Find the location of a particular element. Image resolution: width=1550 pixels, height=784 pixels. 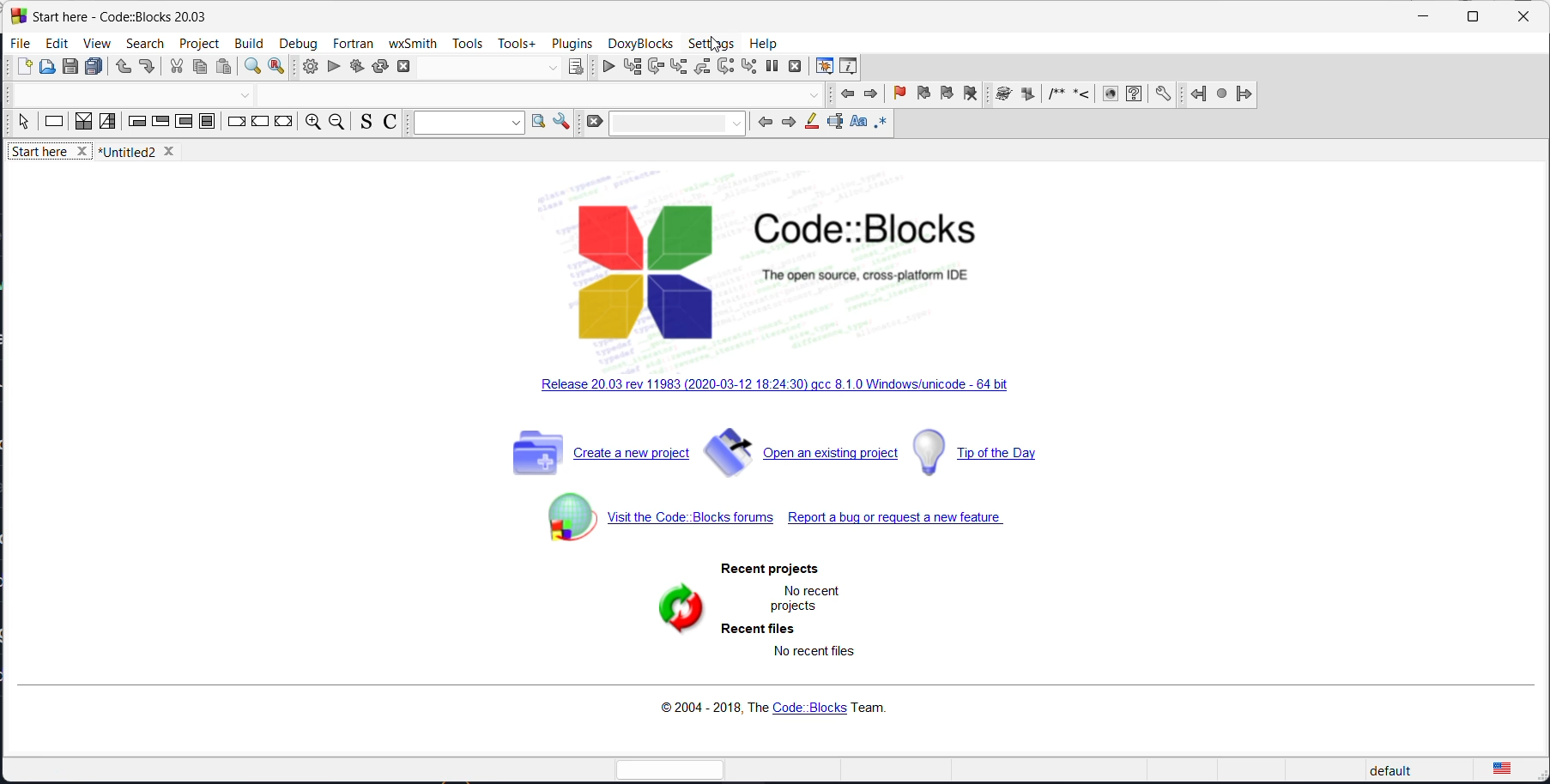

new release is located at coordinates (781, 388).